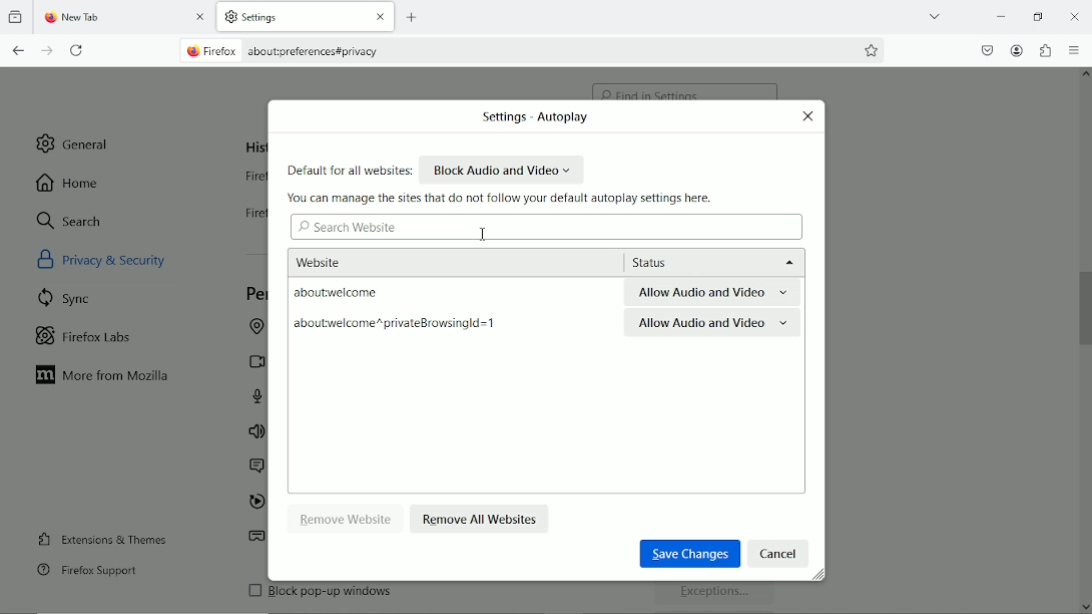 This screenshot has width=1092, height=614. I want to click on find a settings, so click(686, 86).